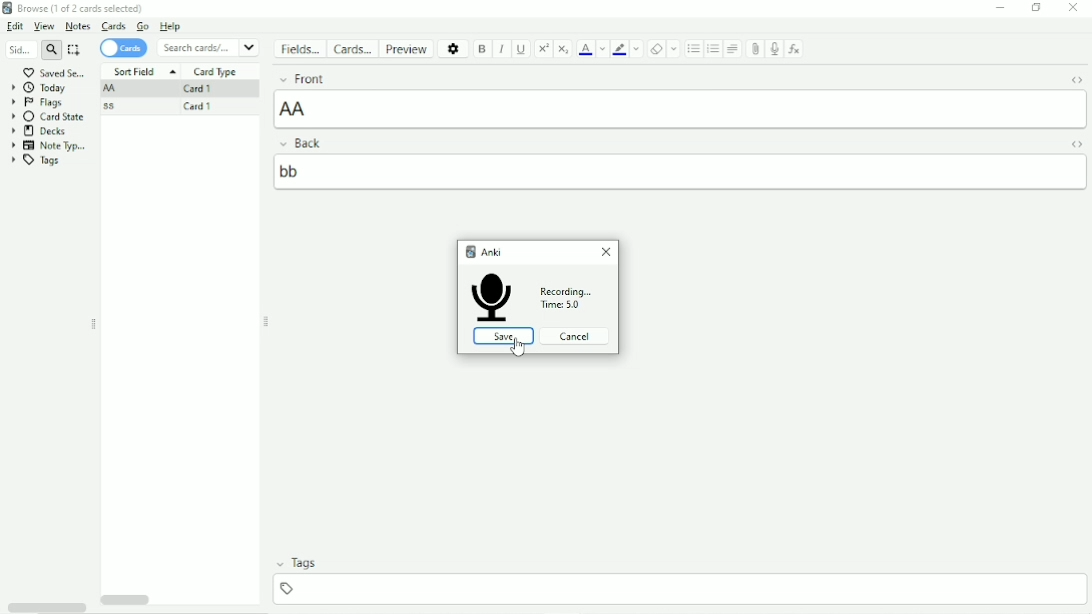 Image resolution: width=1092 pixels, height=614 pixels. Describe the element at coordinates (77, 8) in the screenshot. I see `Browse (1 of 2 cards selected)` at that location.